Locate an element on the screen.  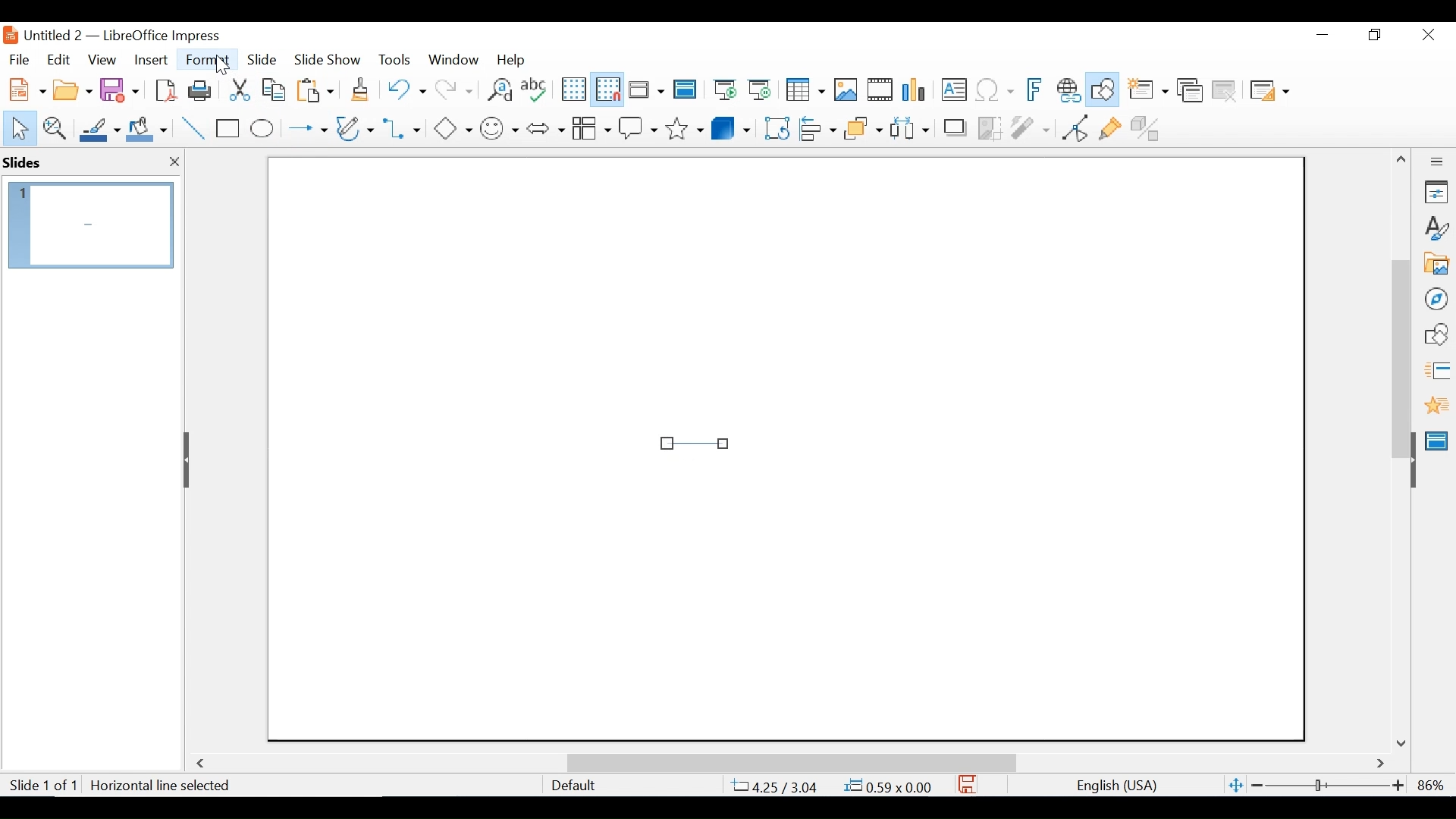
Slide Preview is located at coordinates (89, 224).